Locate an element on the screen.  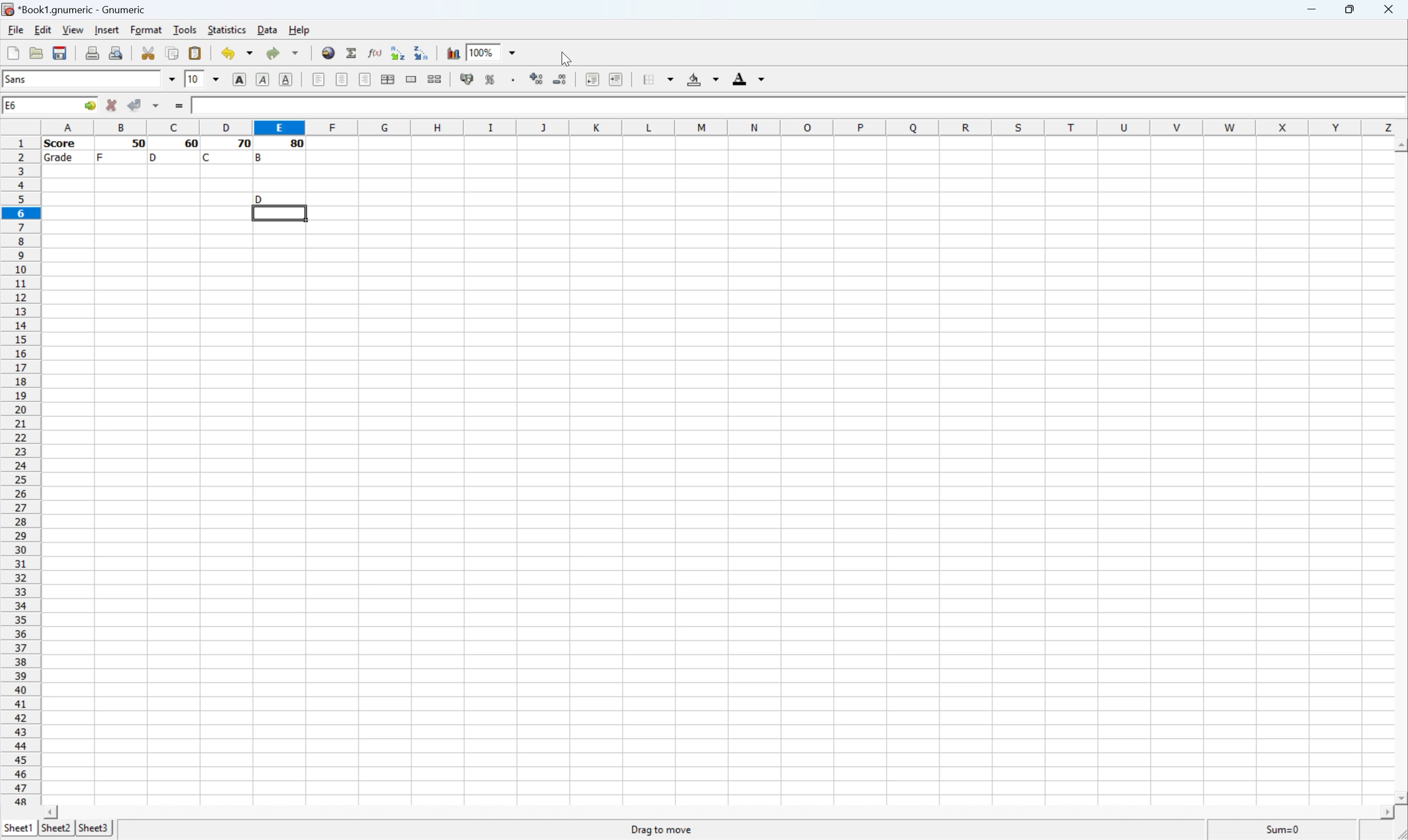
80 is located at coordinates (298, 145).